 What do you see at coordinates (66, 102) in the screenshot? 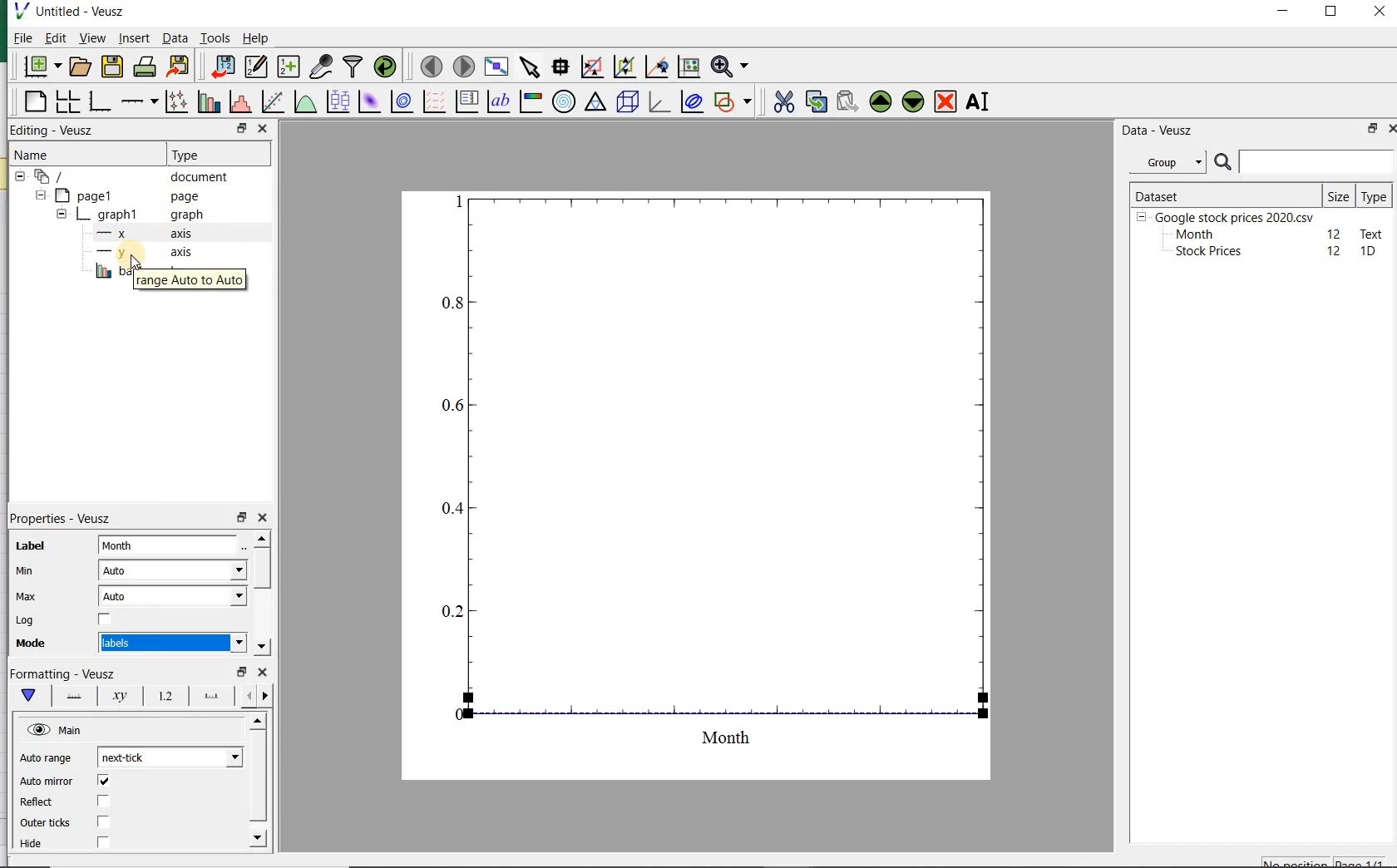
I see `arrange graphs in a grid` at bounding box center [66, 102].